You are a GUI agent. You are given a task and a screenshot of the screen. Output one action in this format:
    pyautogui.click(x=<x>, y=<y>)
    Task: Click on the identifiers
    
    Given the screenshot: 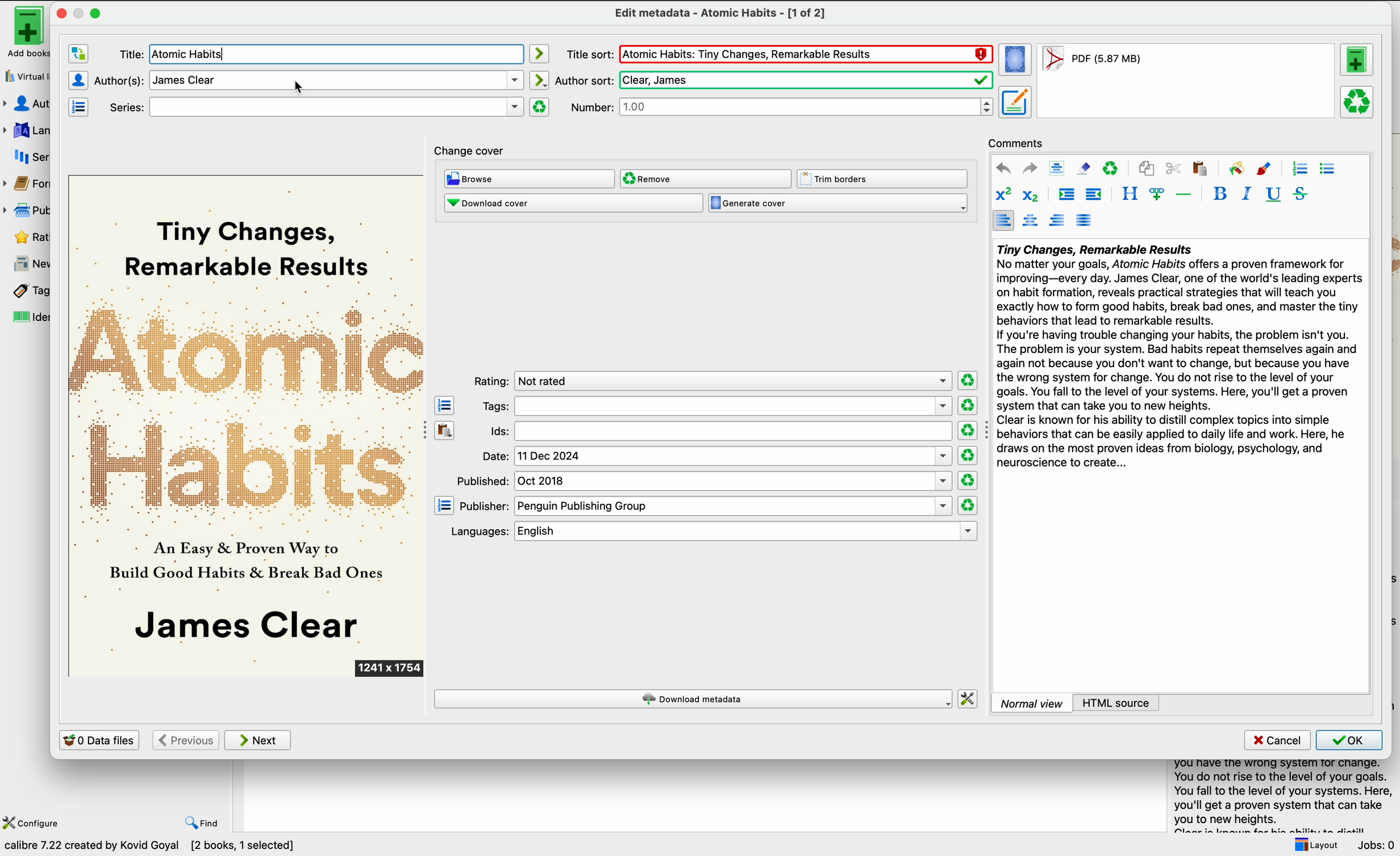 What is the action you would take?
    pyautogui.click(x=24, y=318)
    